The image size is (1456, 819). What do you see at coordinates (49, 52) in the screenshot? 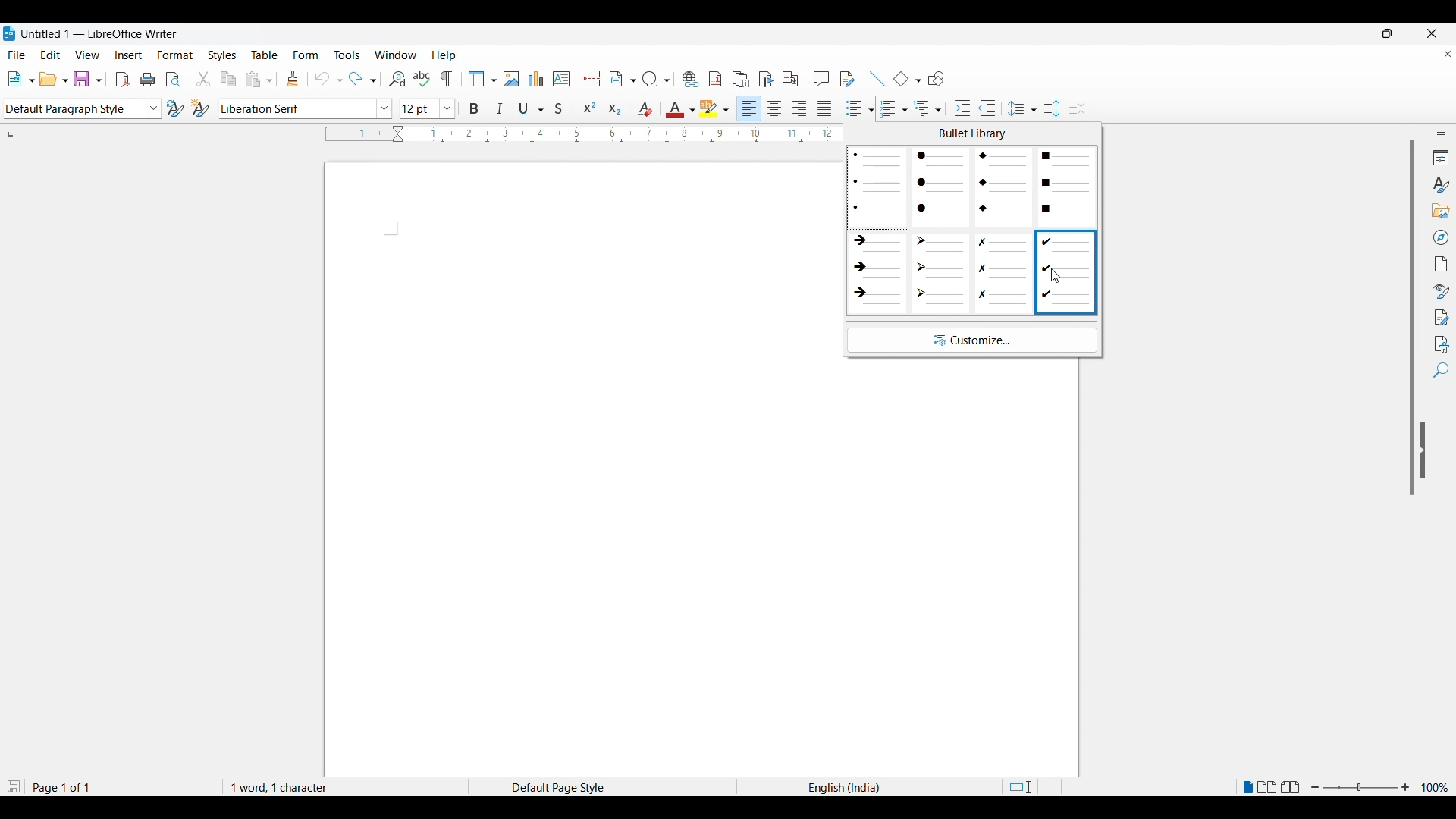
I see `Edit` at bounding box center [49, 52].